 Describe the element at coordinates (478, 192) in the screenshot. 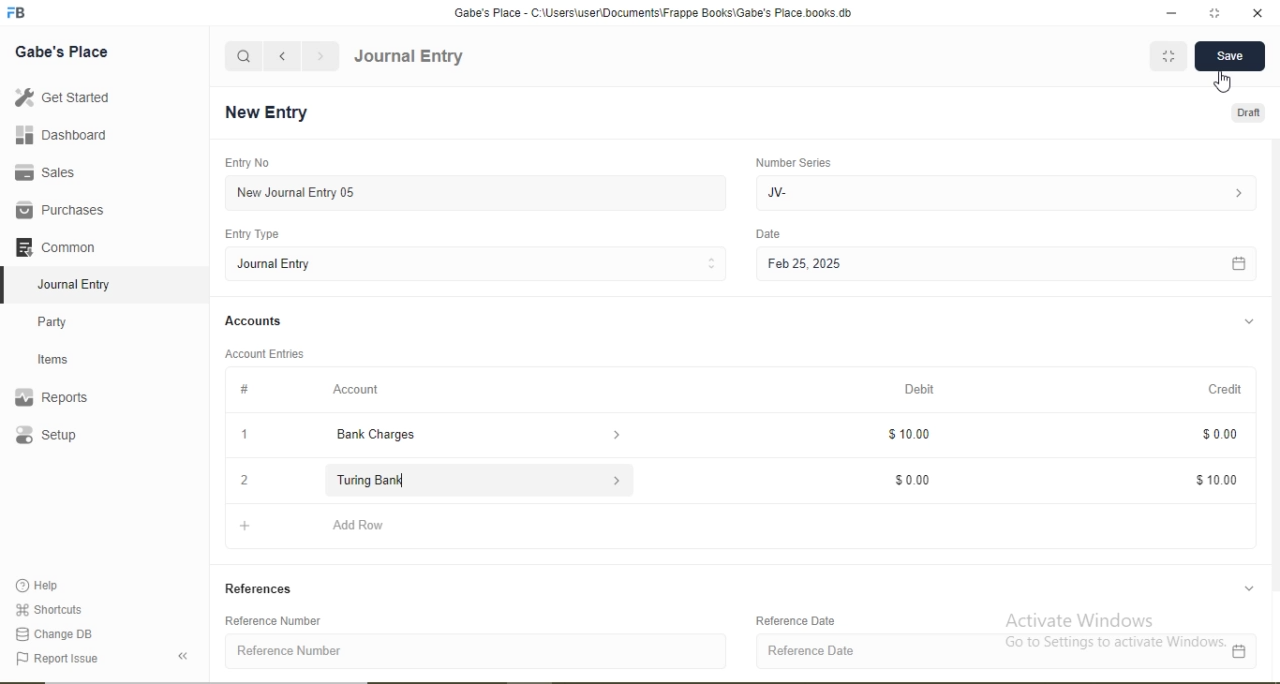

I see `New Journal Entry 05` at that location.